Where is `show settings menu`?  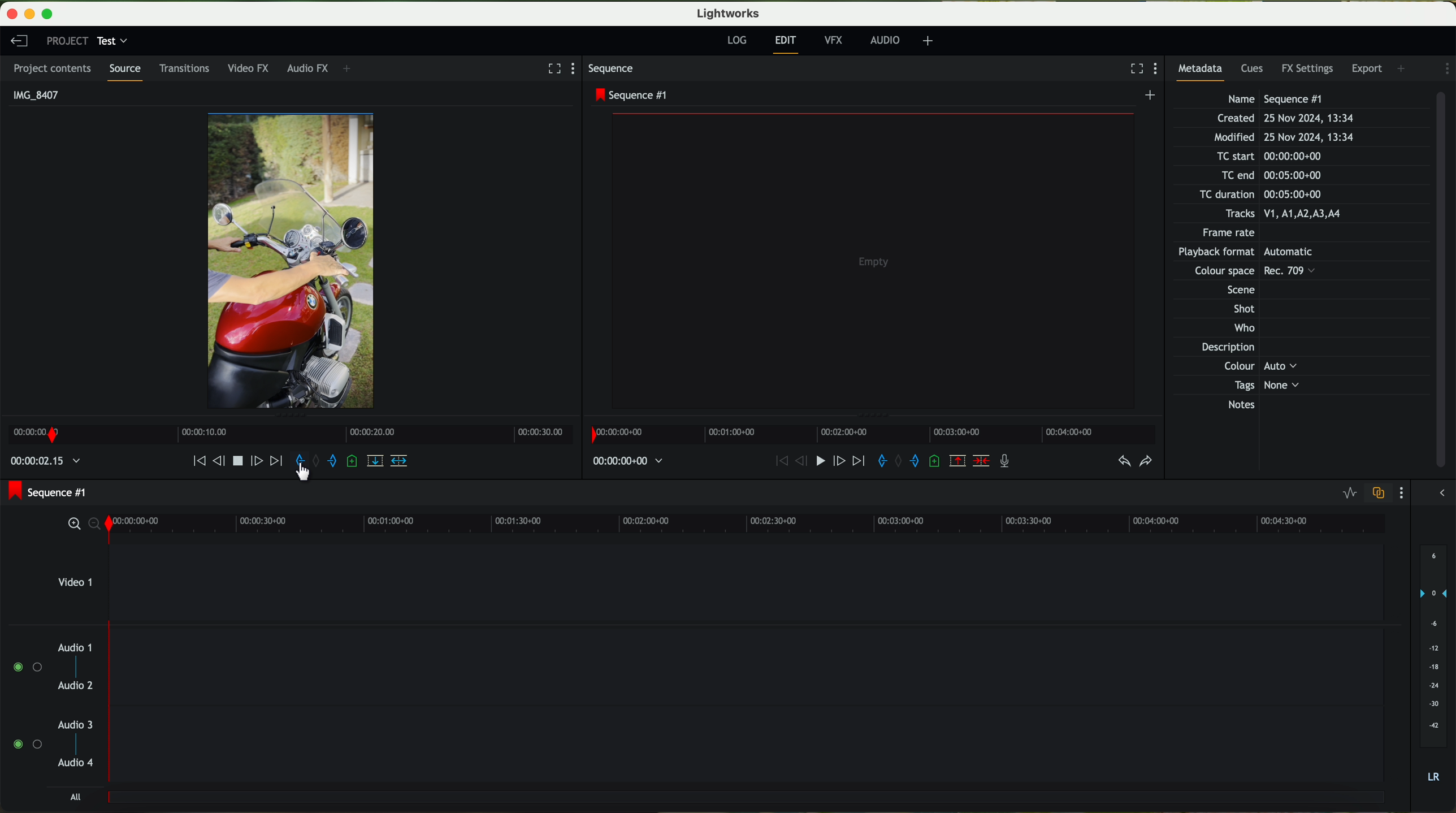
show settings menu is located at coordinates (578, 69).